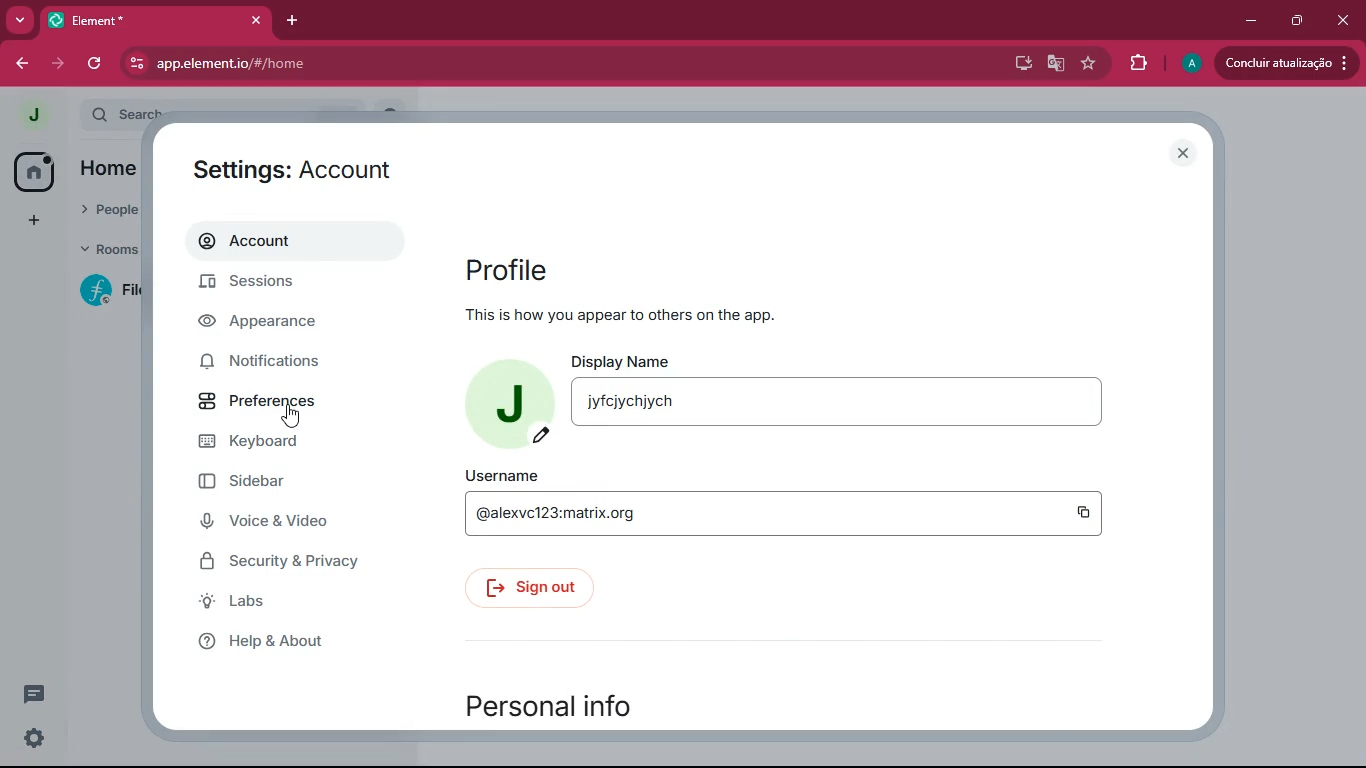 Image resolution: width=1366 pixels, height=768 pixels. Describe the element at coordinates (293, 171) in the screenshot. I see `settings: account` at that location.